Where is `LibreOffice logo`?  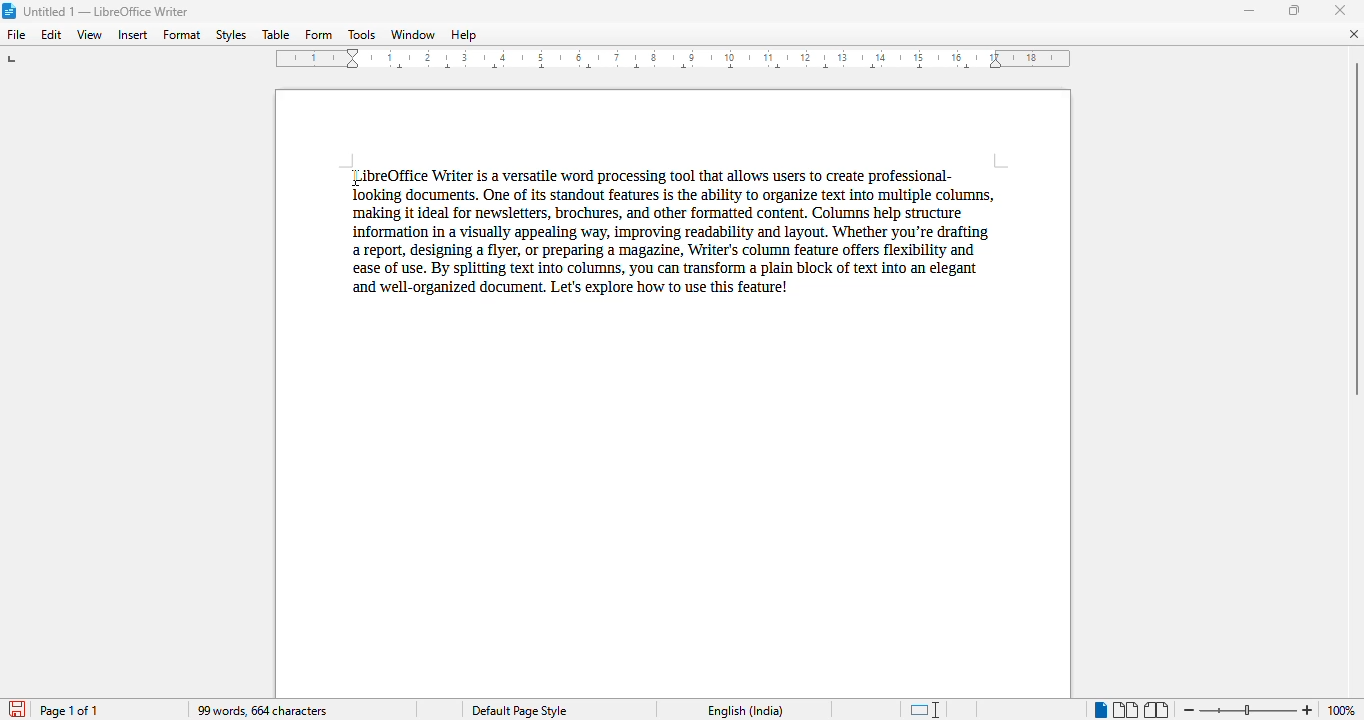 LibreOffice logo is located at coordinates (10, 11).